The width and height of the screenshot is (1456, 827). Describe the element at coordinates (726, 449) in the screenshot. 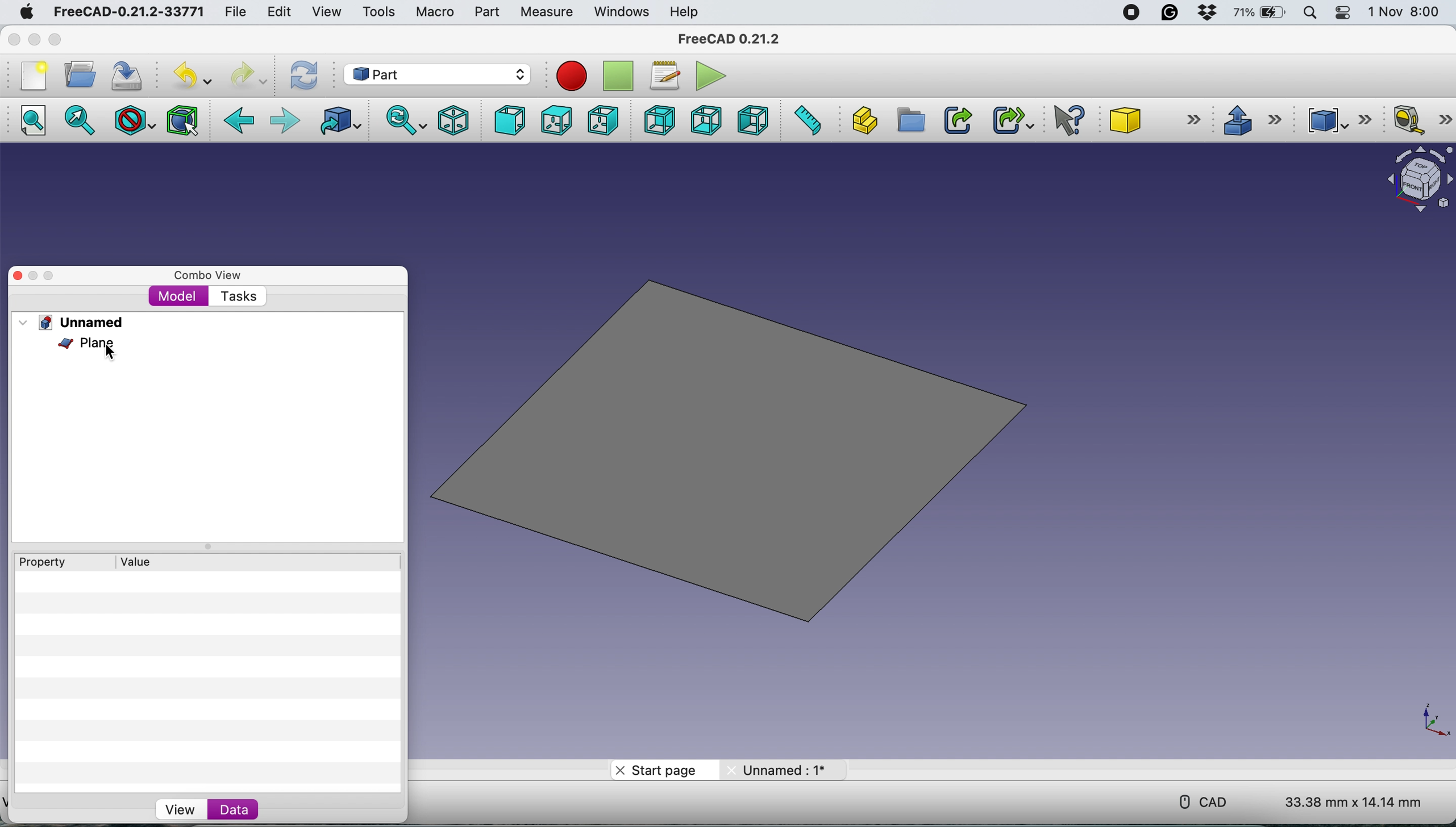

I see `plane` at that location.